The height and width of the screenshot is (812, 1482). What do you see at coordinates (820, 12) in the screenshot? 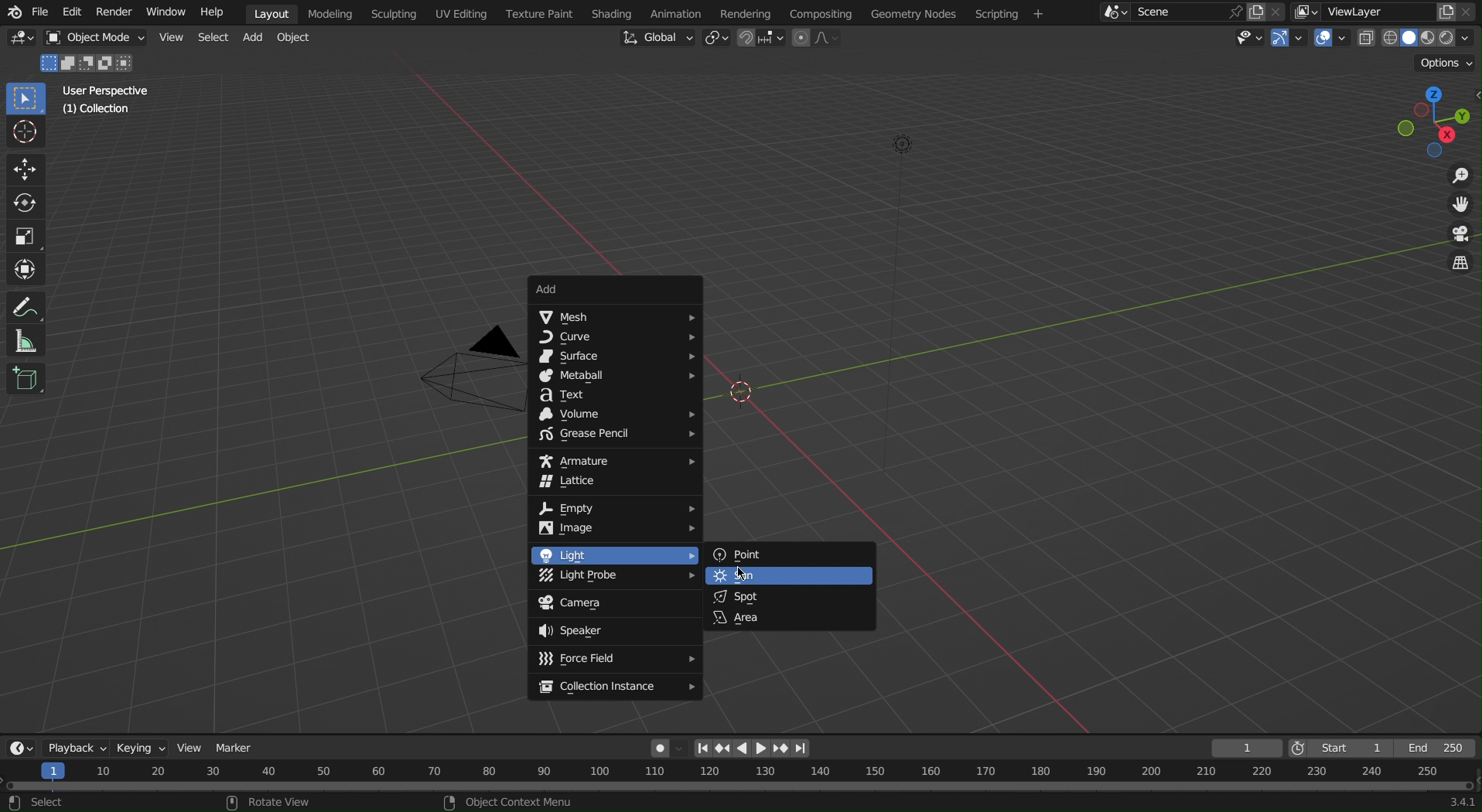
I see `Compositing` at bounding box center [820, 12].